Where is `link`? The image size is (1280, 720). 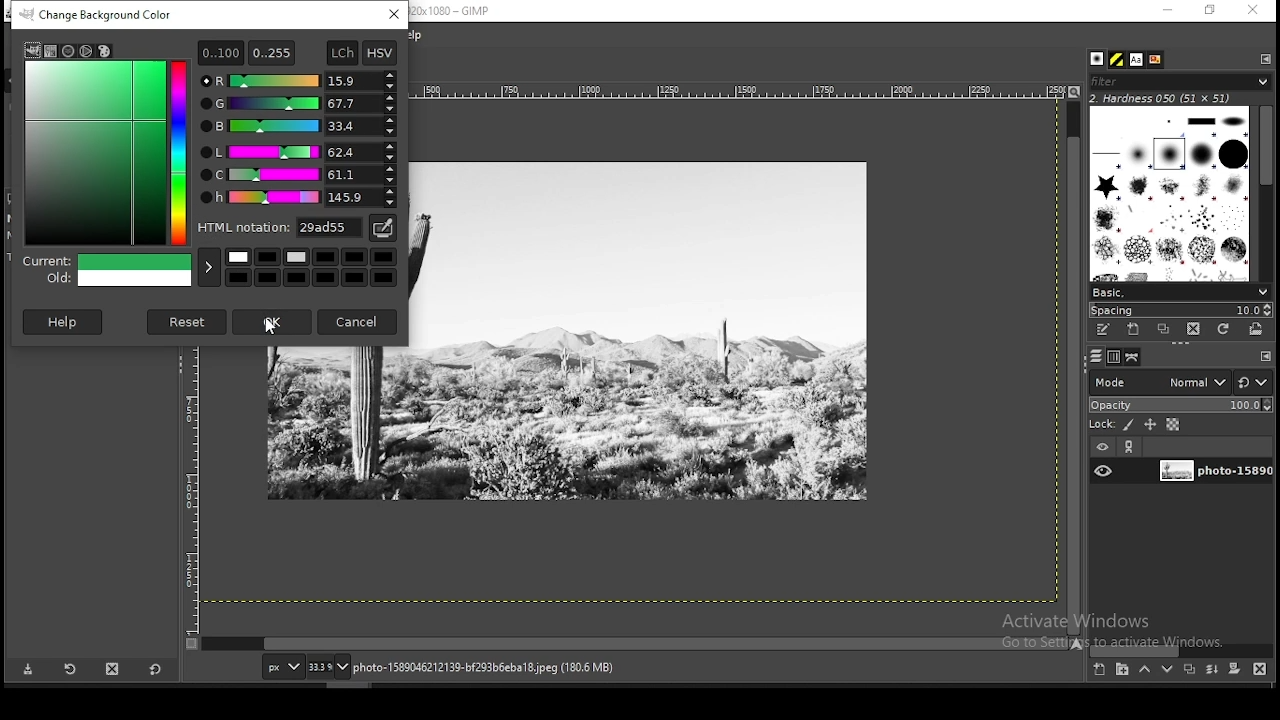 link is located at coordinates (1131, 447).